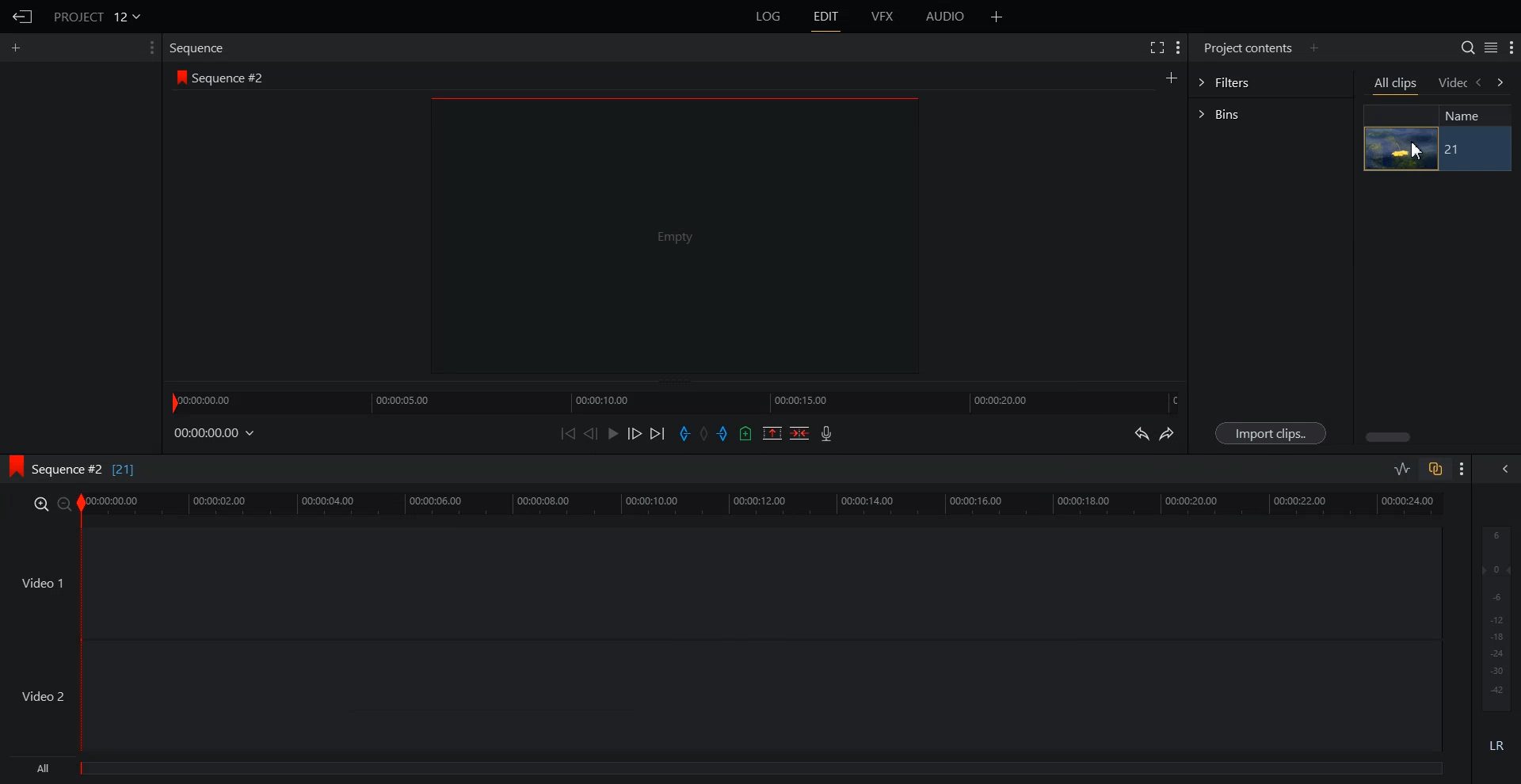  I want to click on File Time, so click(215, 433).